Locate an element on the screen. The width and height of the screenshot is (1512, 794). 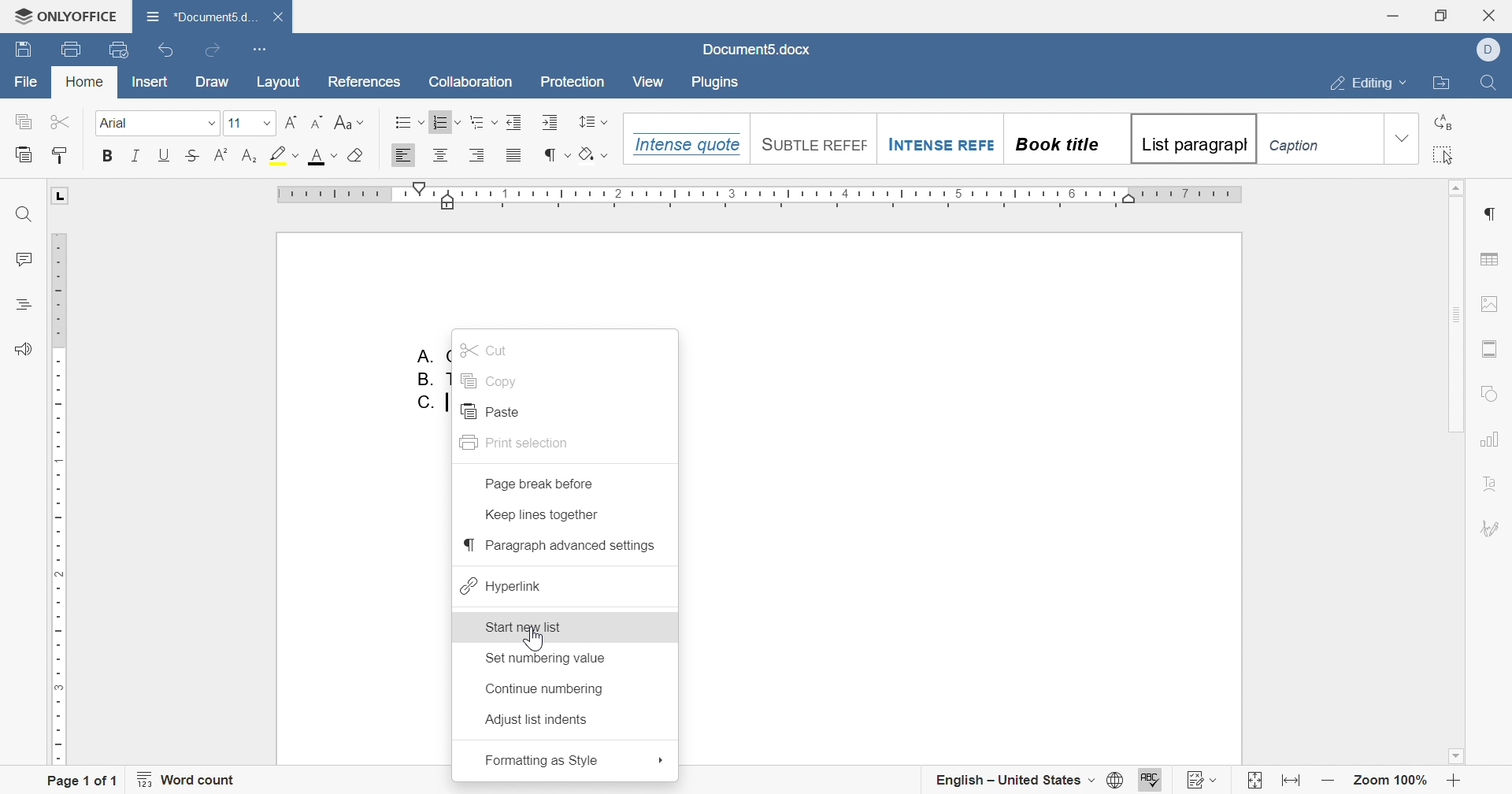
Book title is located at coordinates (1055, 144).